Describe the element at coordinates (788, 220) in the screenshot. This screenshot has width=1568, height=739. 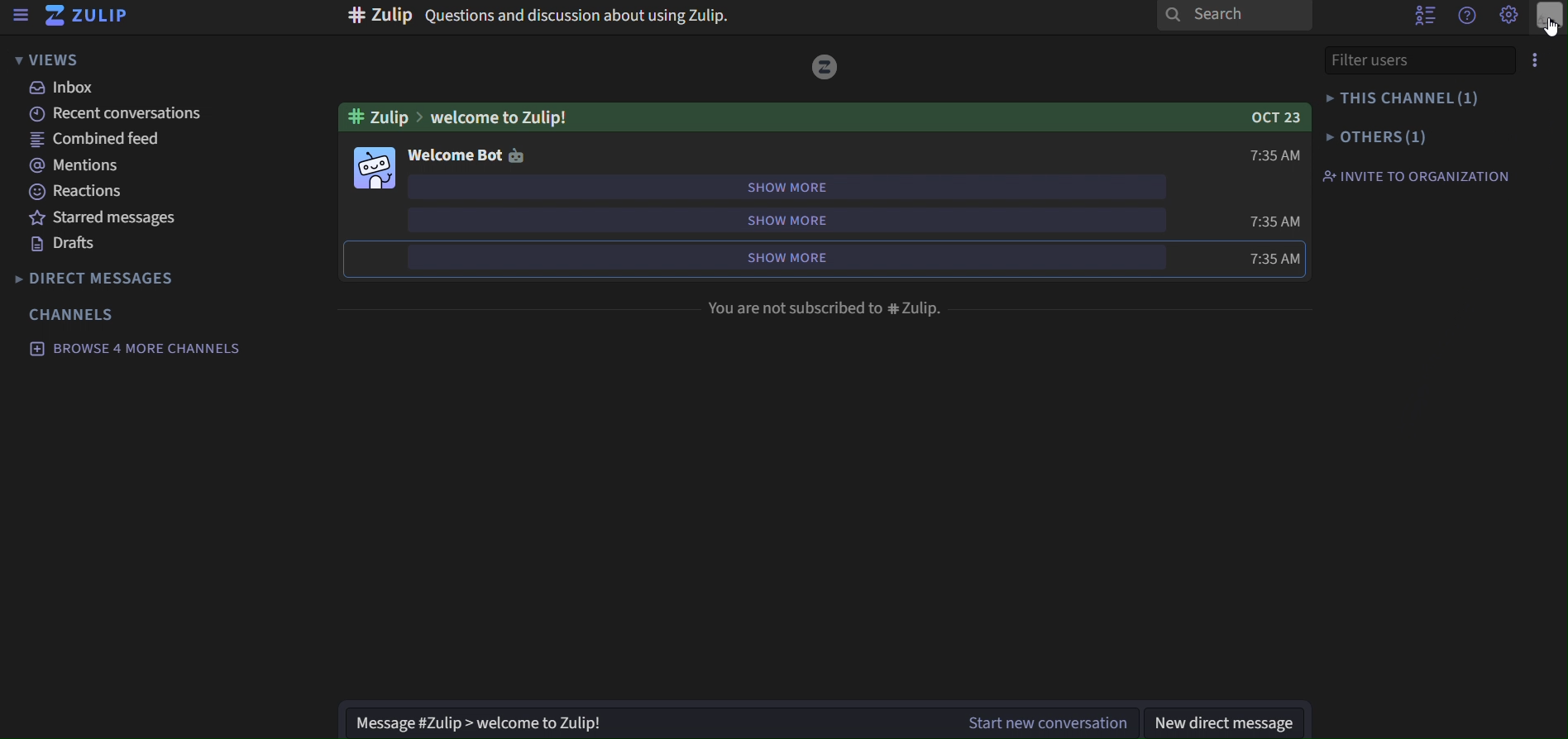
I see `show more ` at that location.